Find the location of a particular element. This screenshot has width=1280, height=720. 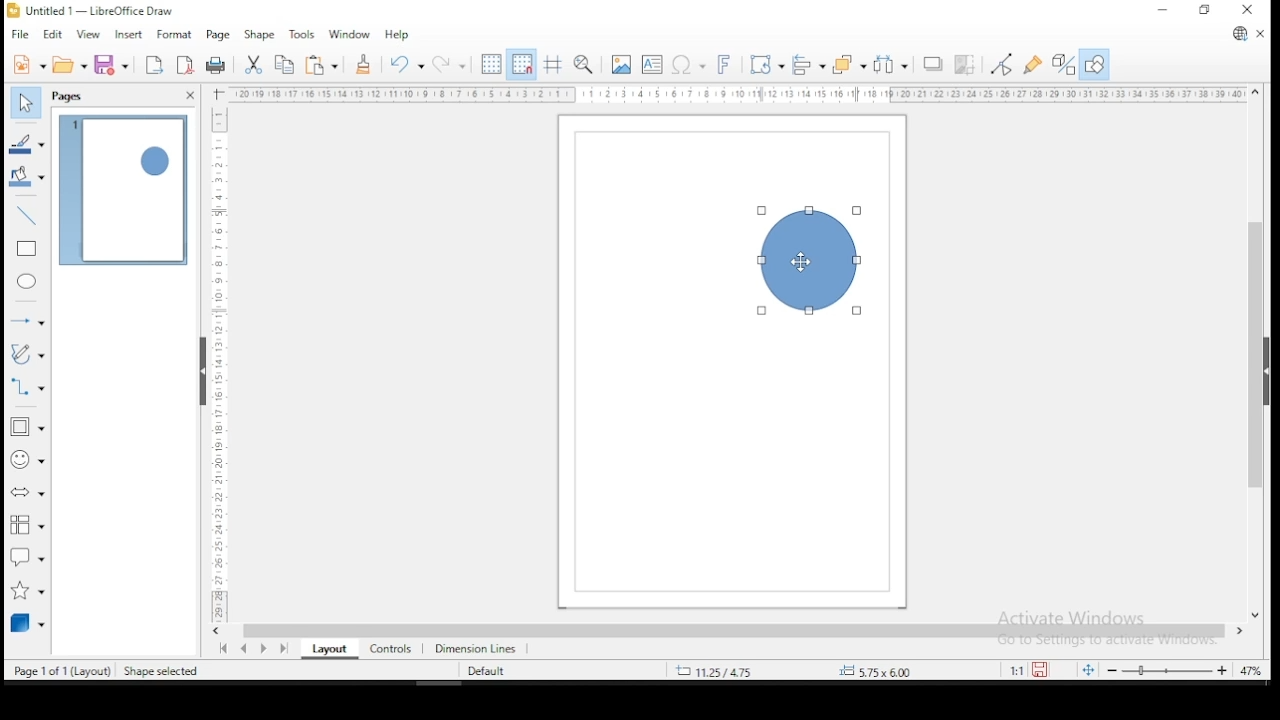

print is located at coordinates (217, 66).